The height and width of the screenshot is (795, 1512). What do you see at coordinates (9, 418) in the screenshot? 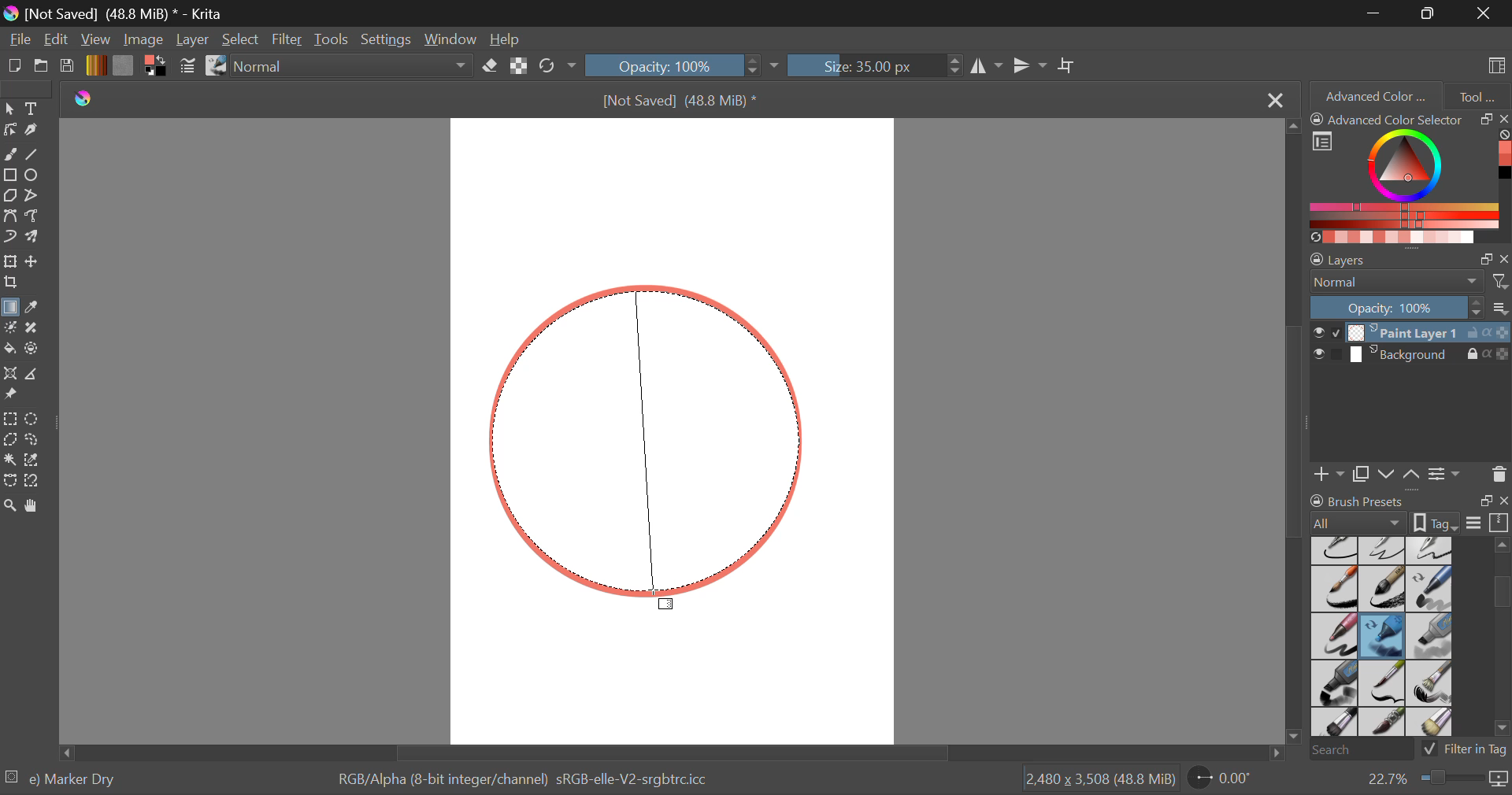
I see `Rectangle Selection Tool` at bounding box center [9, 418].